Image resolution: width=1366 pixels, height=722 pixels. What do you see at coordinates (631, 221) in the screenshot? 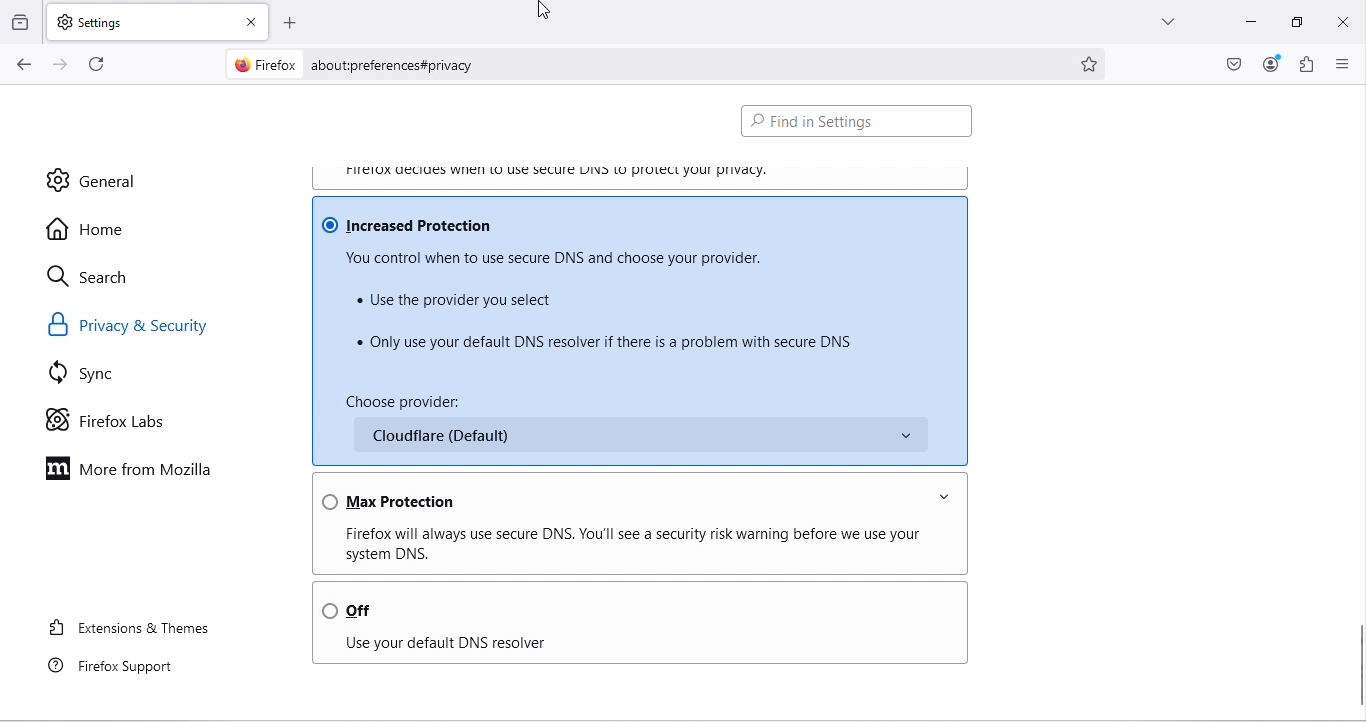
I see `Increased protection` at bounding box center [631, 221].